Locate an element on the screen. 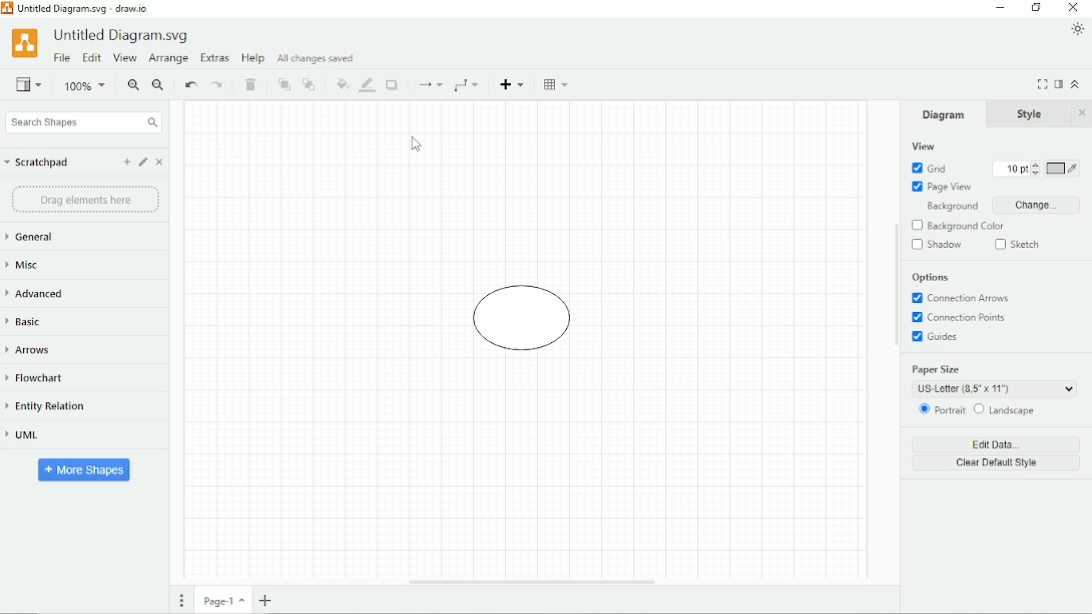  Format is located at coordinates (1058, 85).